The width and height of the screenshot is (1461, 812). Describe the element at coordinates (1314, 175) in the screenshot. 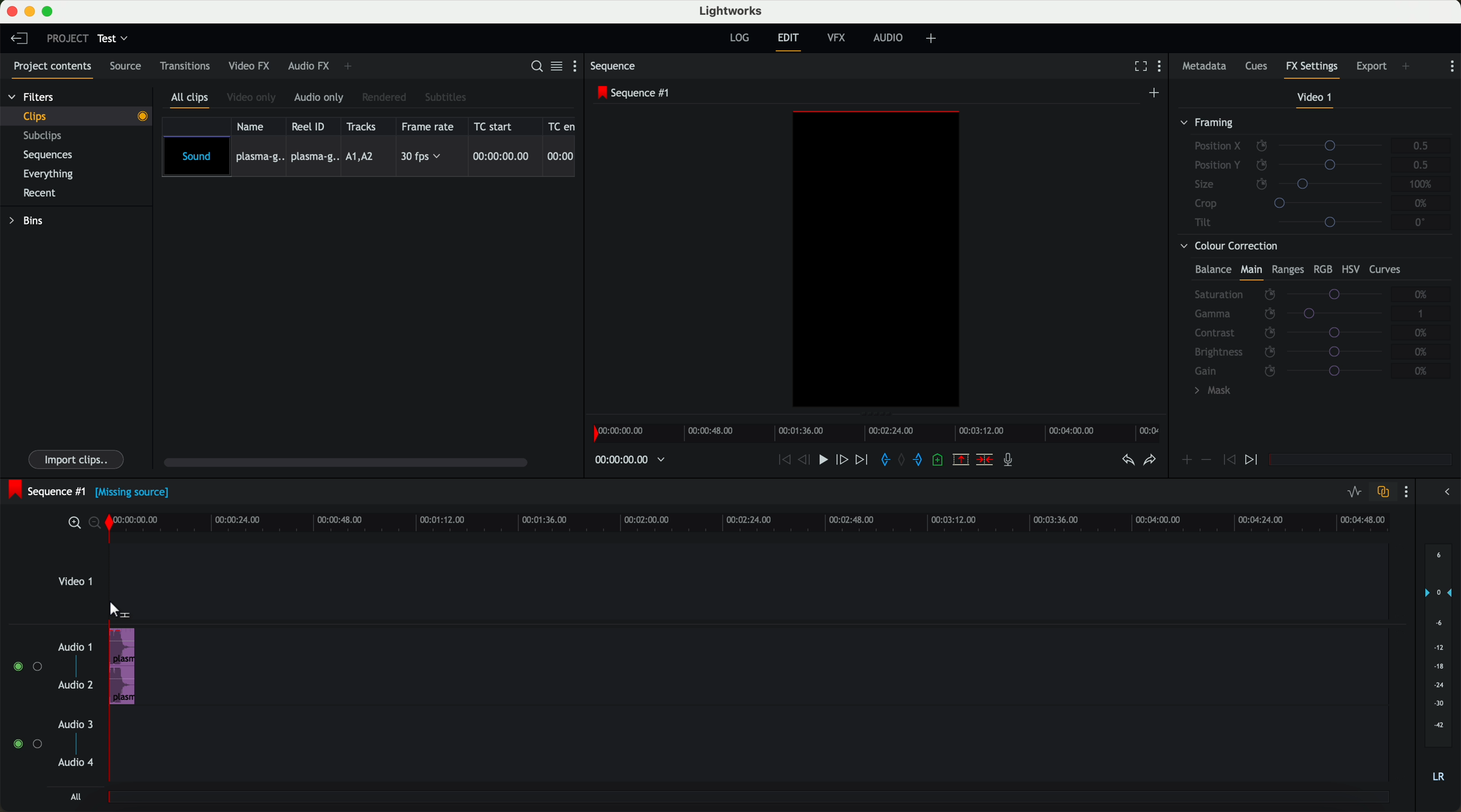

I see `framing tab` at that location.